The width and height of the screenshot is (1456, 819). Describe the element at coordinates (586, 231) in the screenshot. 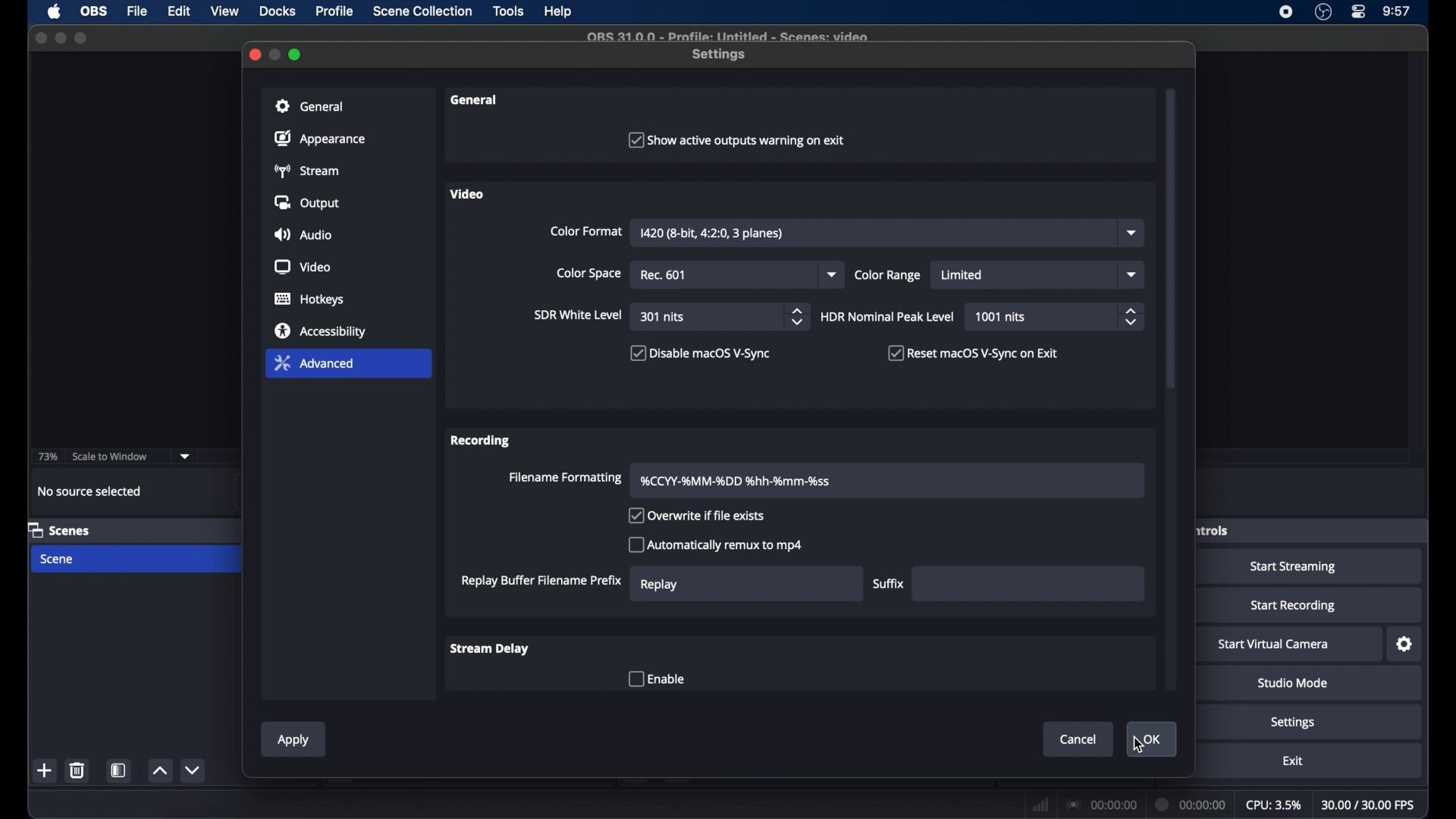

I see `color format` at that location.